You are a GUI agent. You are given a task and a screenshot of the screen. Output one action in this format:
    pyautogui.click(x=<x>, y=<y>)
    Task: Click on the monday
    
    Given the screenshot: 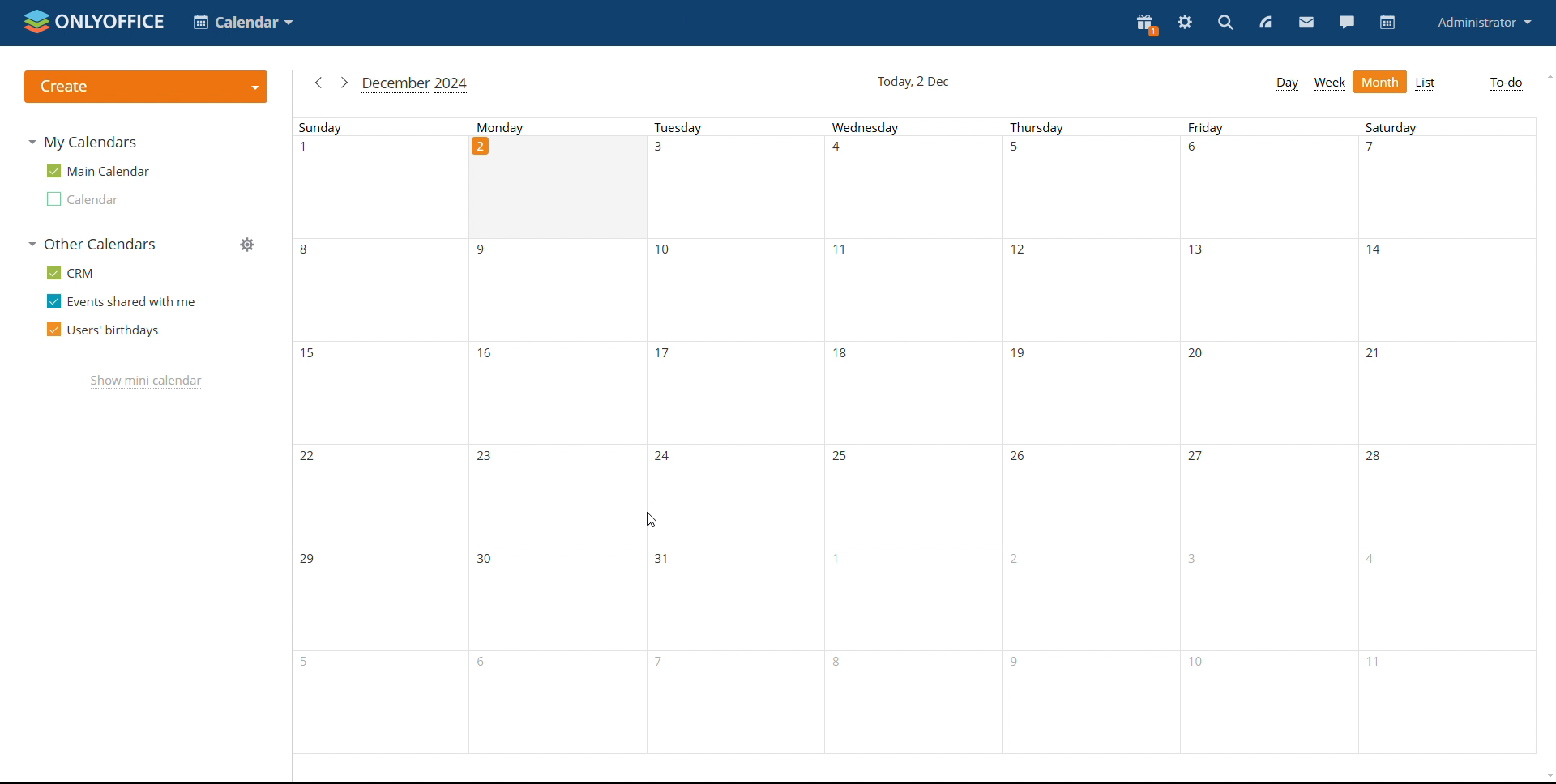 What is the action you would take?
    pyautogui.click(x=556, y=436)
    